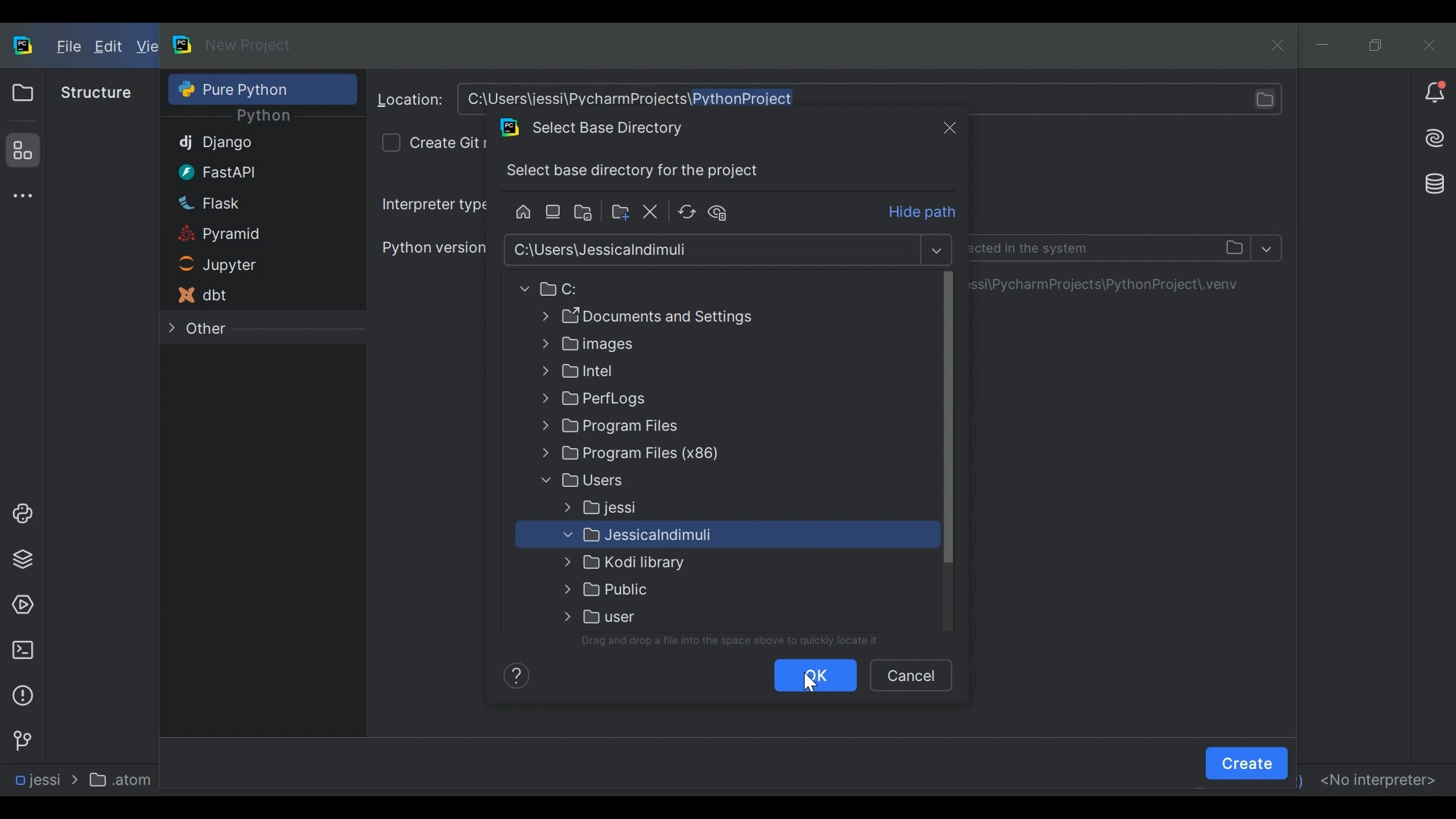  I want to click on Folder Path, so click(666, 455).